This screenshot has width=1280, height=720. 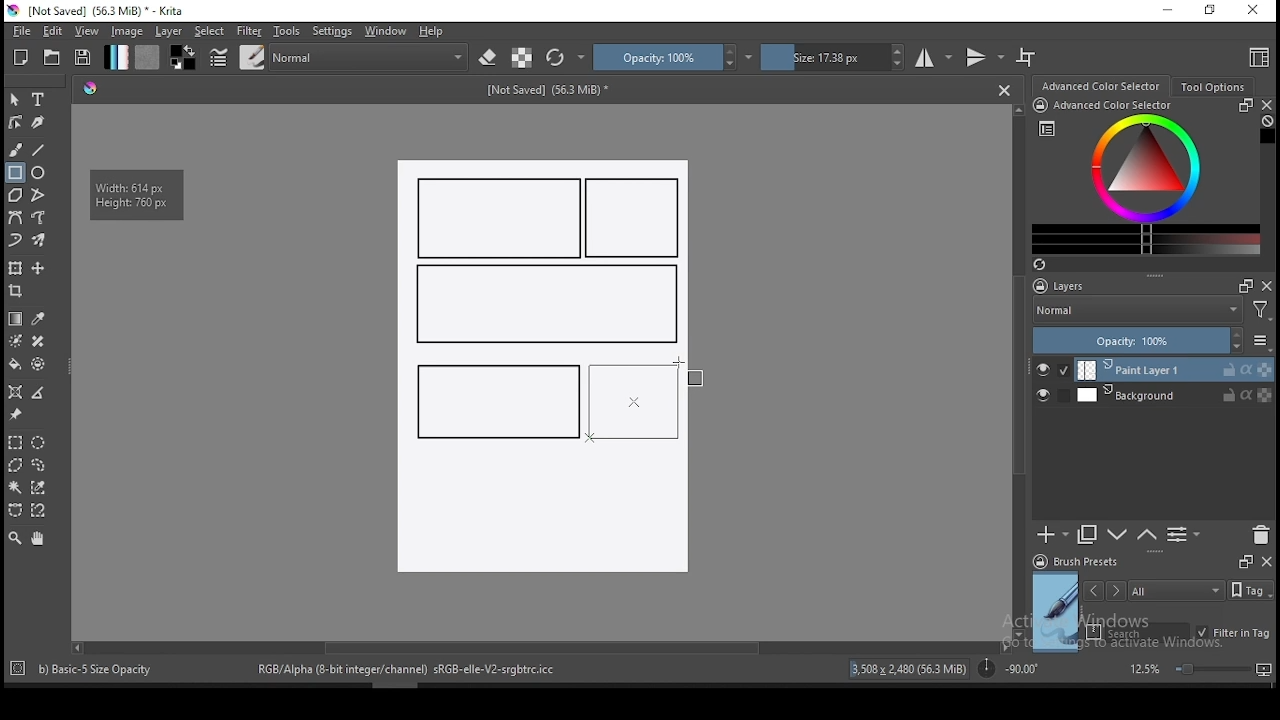 What do you see at coordinates (490, 58) in the screenshot?
I see `set eraser mode` at bounding box center [490, 58].